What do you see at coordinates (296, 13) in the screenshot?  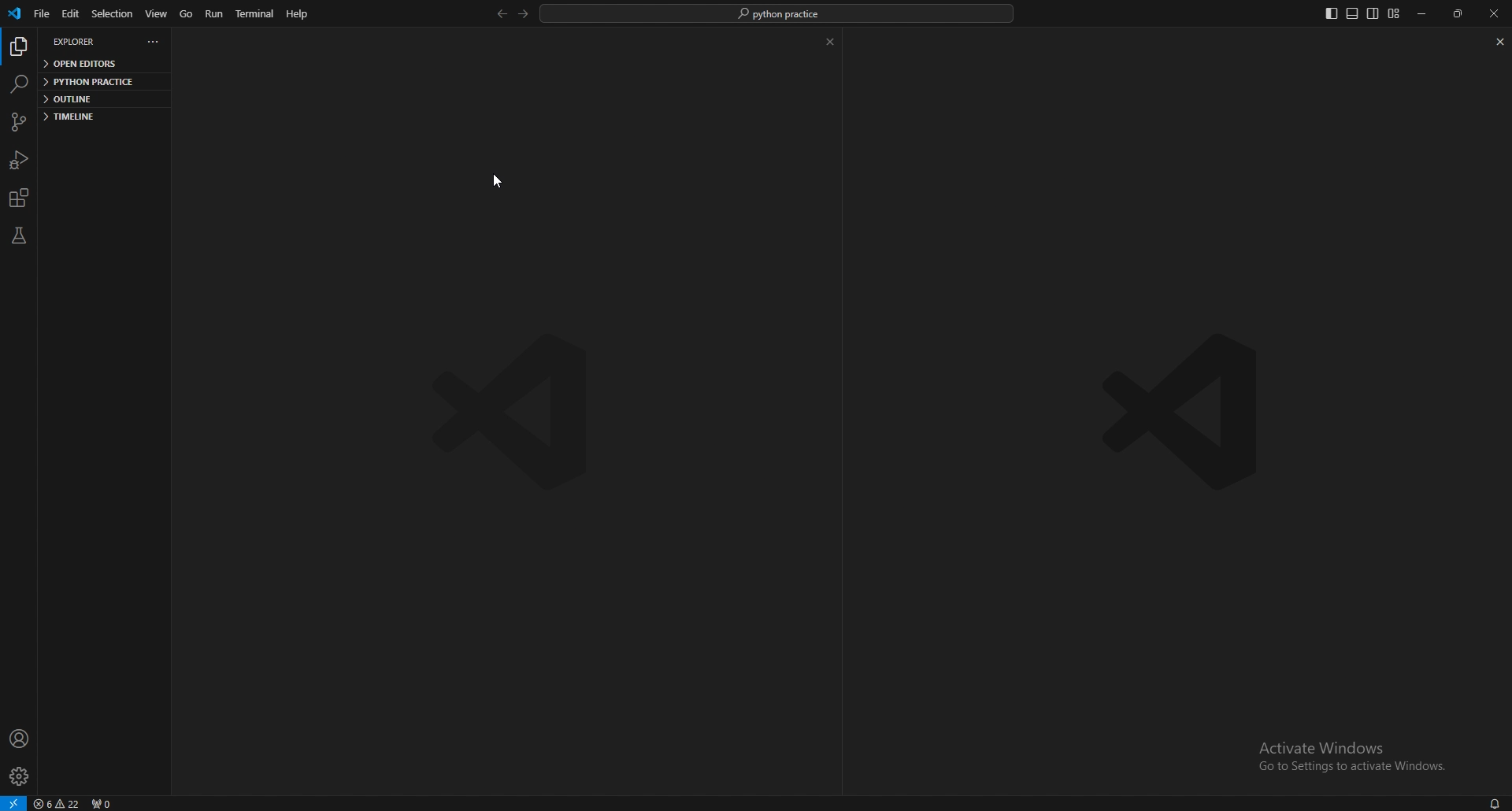 I see `help` at bounding box center [296, 13].